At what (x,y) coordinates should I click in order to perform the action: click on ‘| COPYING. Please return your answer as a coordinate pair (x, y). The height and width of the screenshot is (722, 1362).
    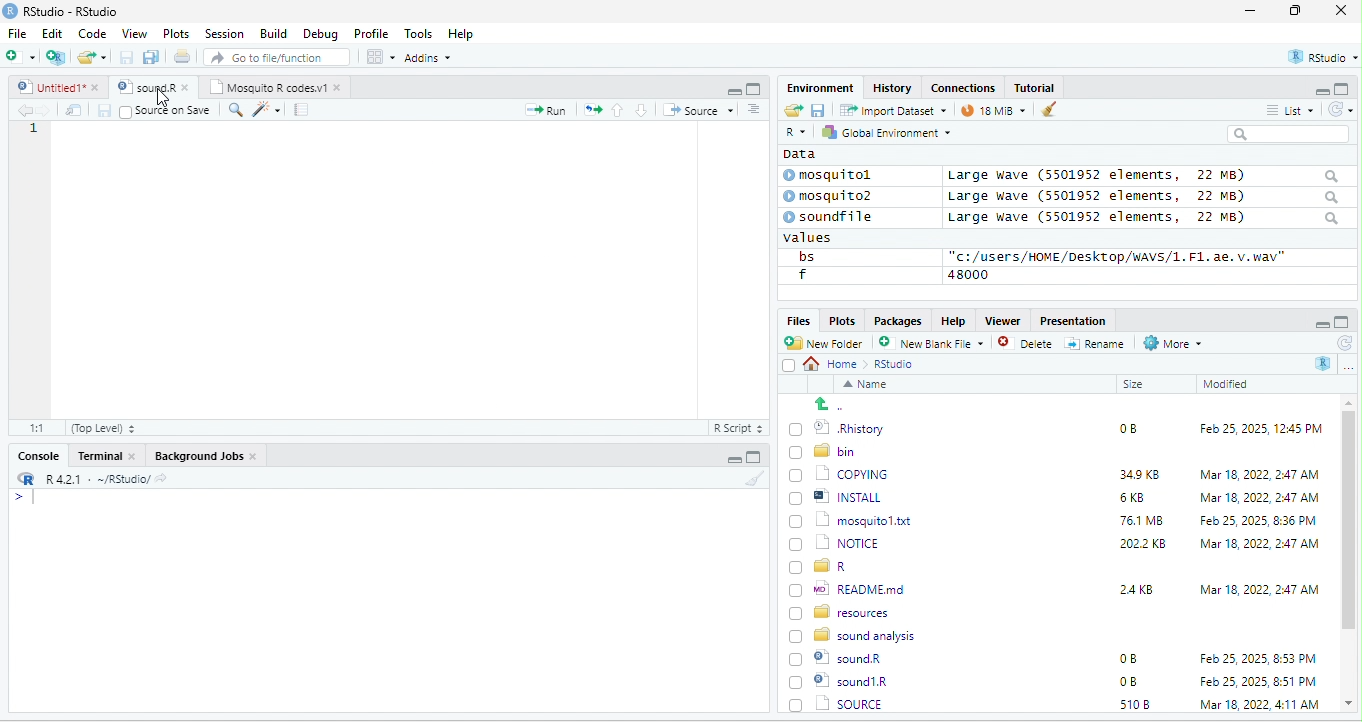
    Looking at the image, I should click on (839, 473).